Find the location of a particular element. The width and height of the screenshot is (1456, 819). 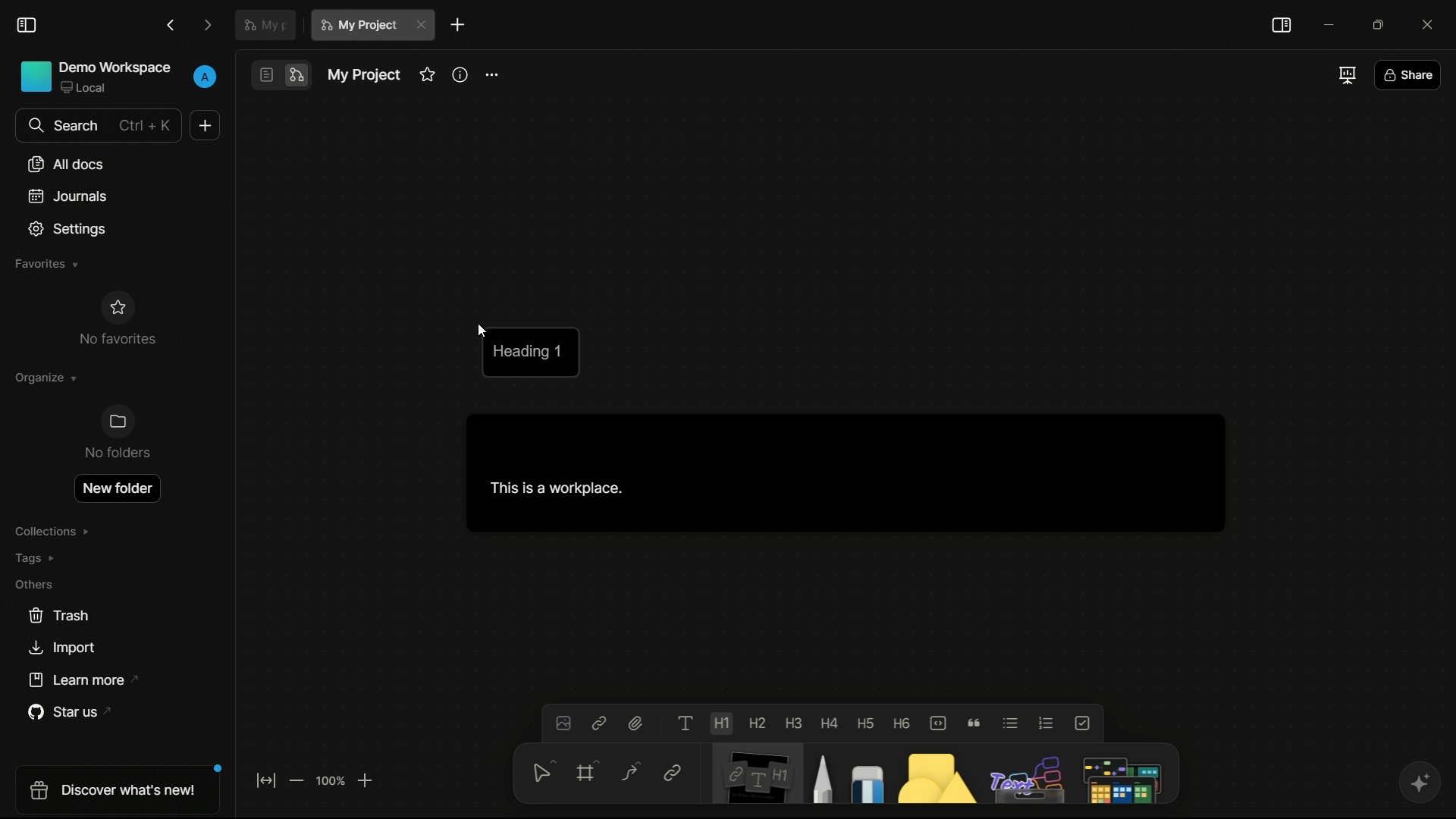

document name is located at coordinates (363, 76).